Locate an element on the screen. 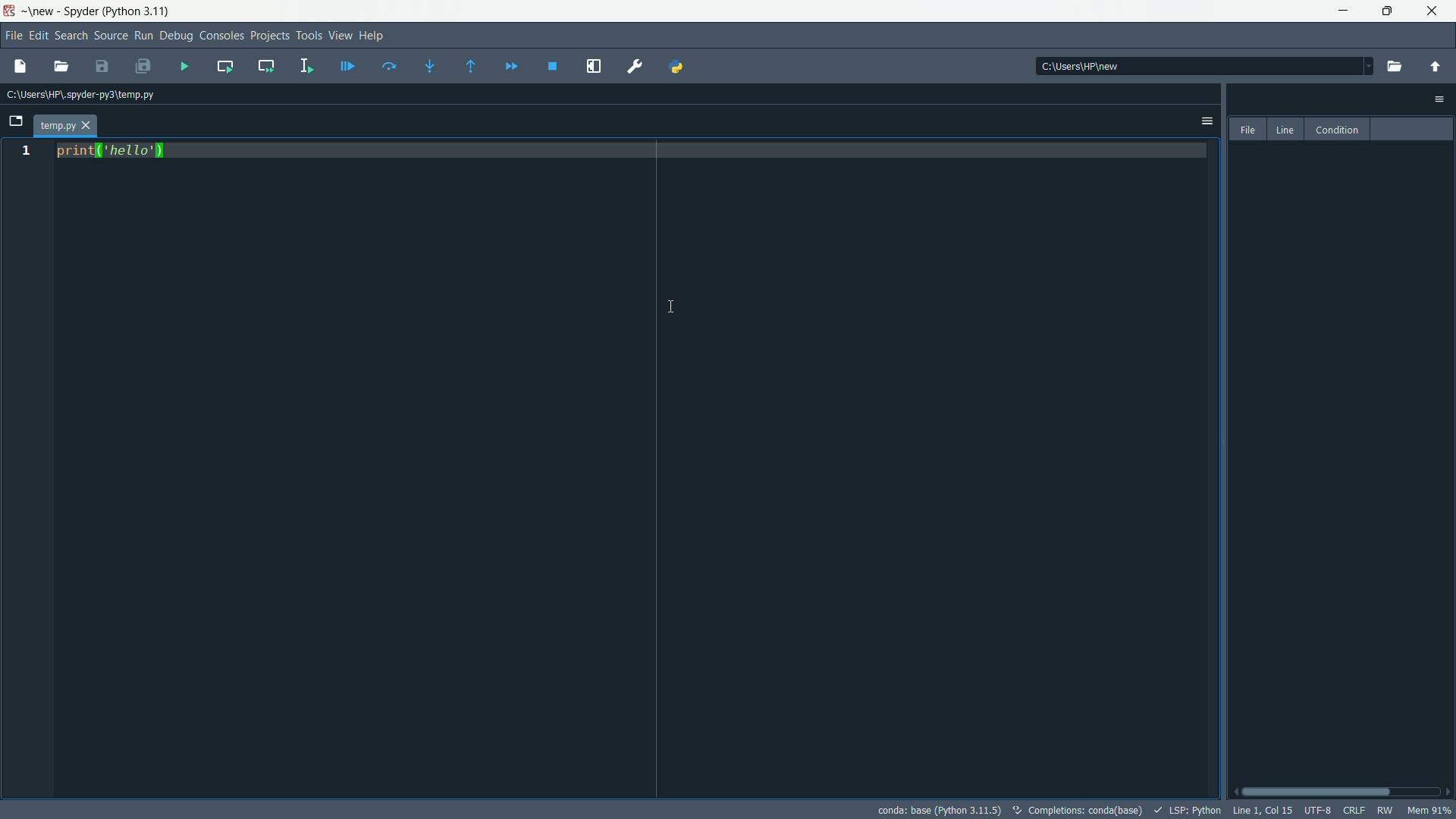 The height and width of the screenshot is (819, 1456). run menu is located at coordinates (143, 36).